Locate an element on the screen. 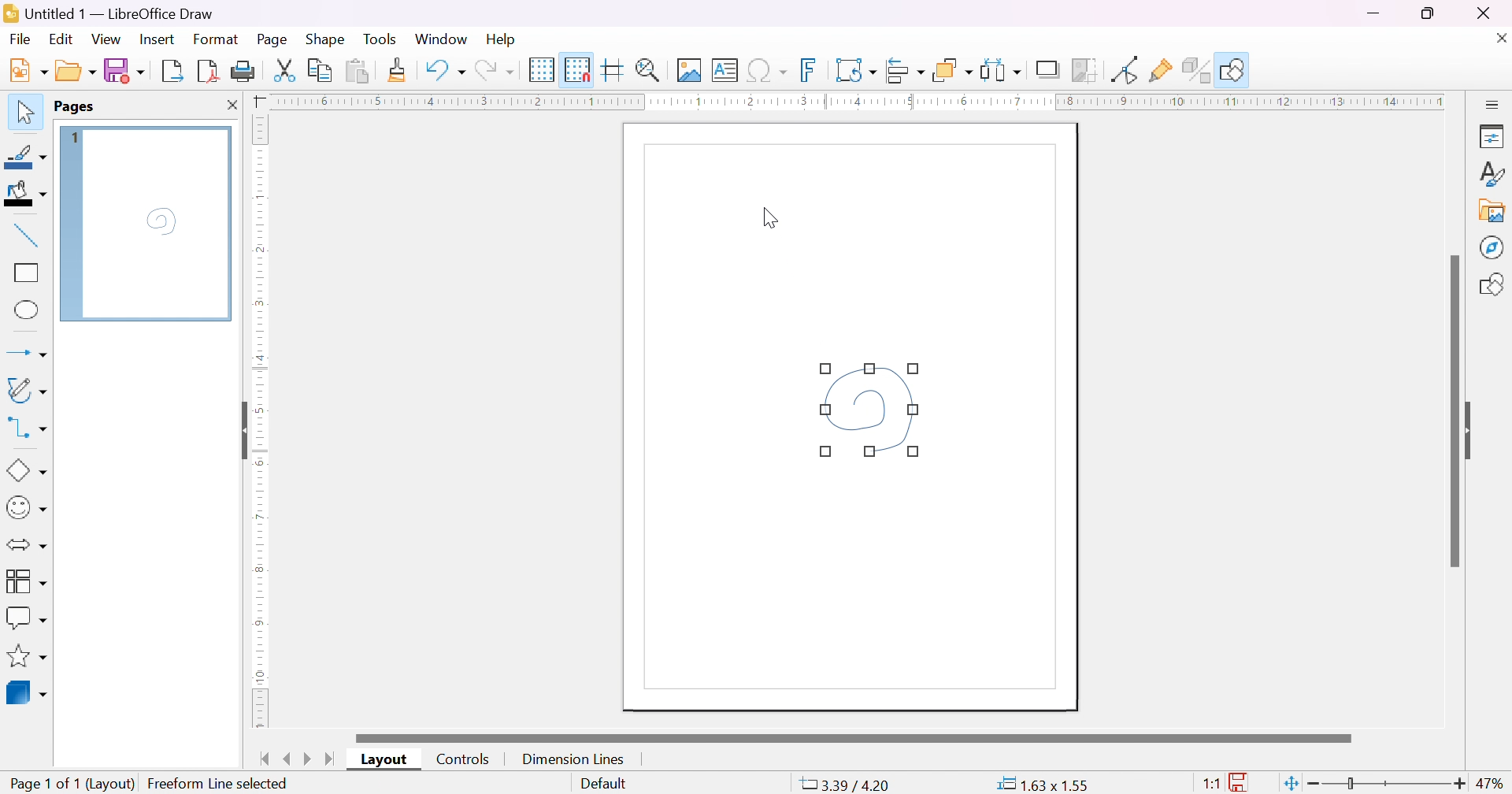 The width and height of the screenshot is (1512, 794). help is located at coordinates (501, 39).